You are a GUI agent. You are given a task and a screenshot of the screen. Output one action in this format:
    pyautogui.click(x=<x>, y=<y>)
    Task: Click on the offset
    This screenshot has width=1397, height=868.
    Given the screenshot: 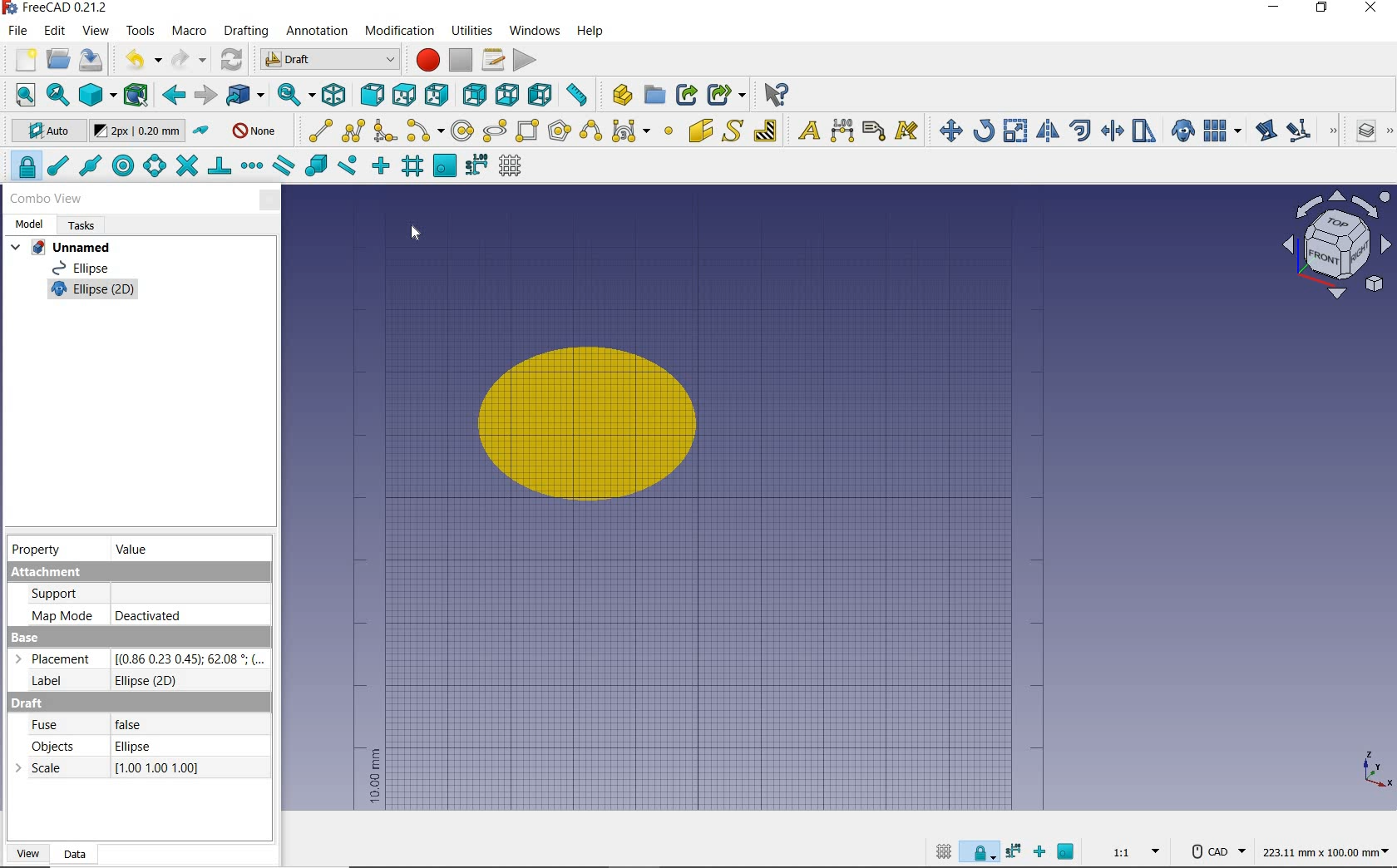 What is the action you would take?
    pyautogui.click(x=1079, y=131)
    